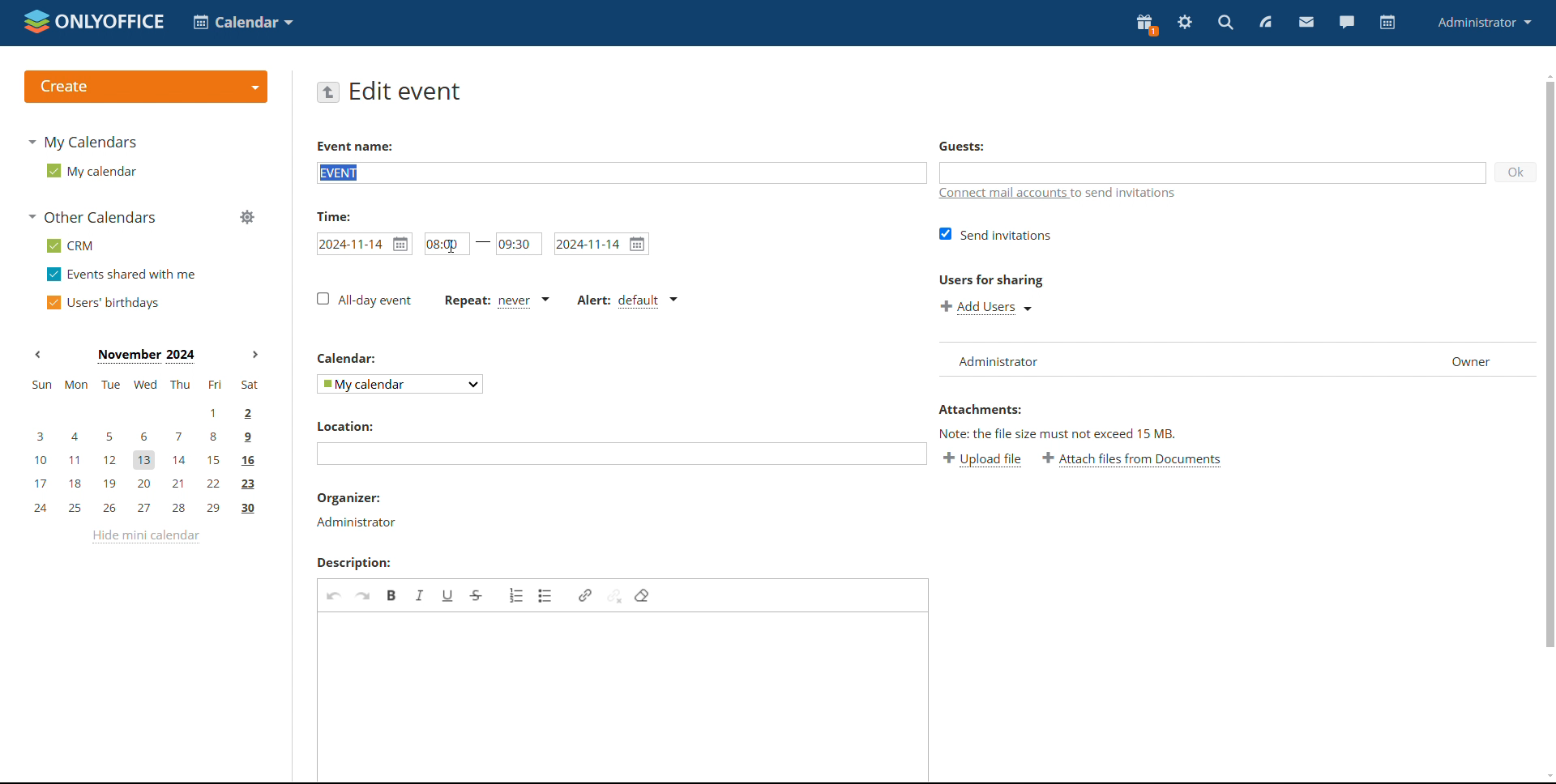  I want to click on current month, so click(146, 355).